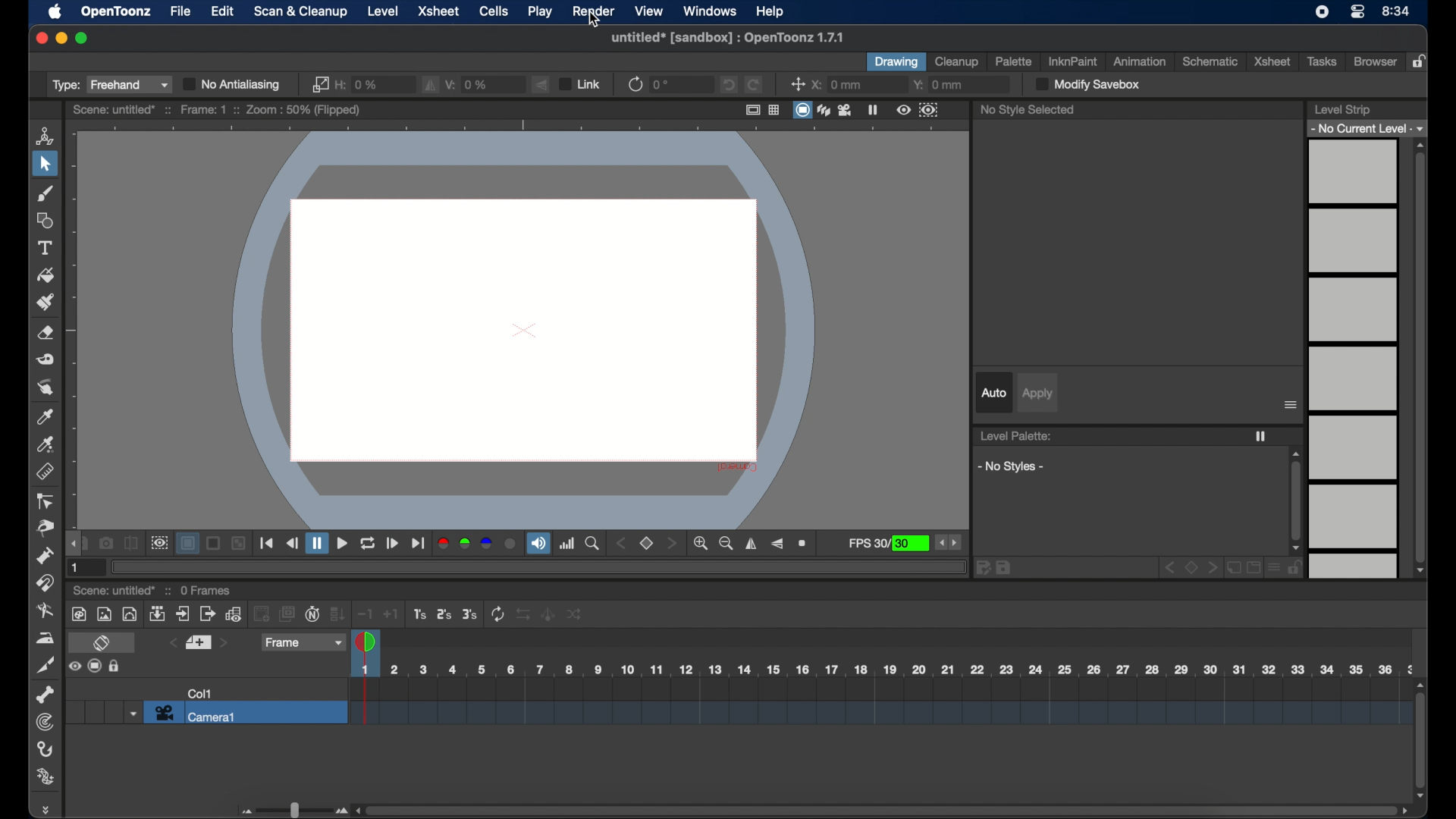 The image size is (1456, 819). What do you see at coordinates (74, 544) in the screenshot?
I see `draghandle` at bounding box center [74, 544].